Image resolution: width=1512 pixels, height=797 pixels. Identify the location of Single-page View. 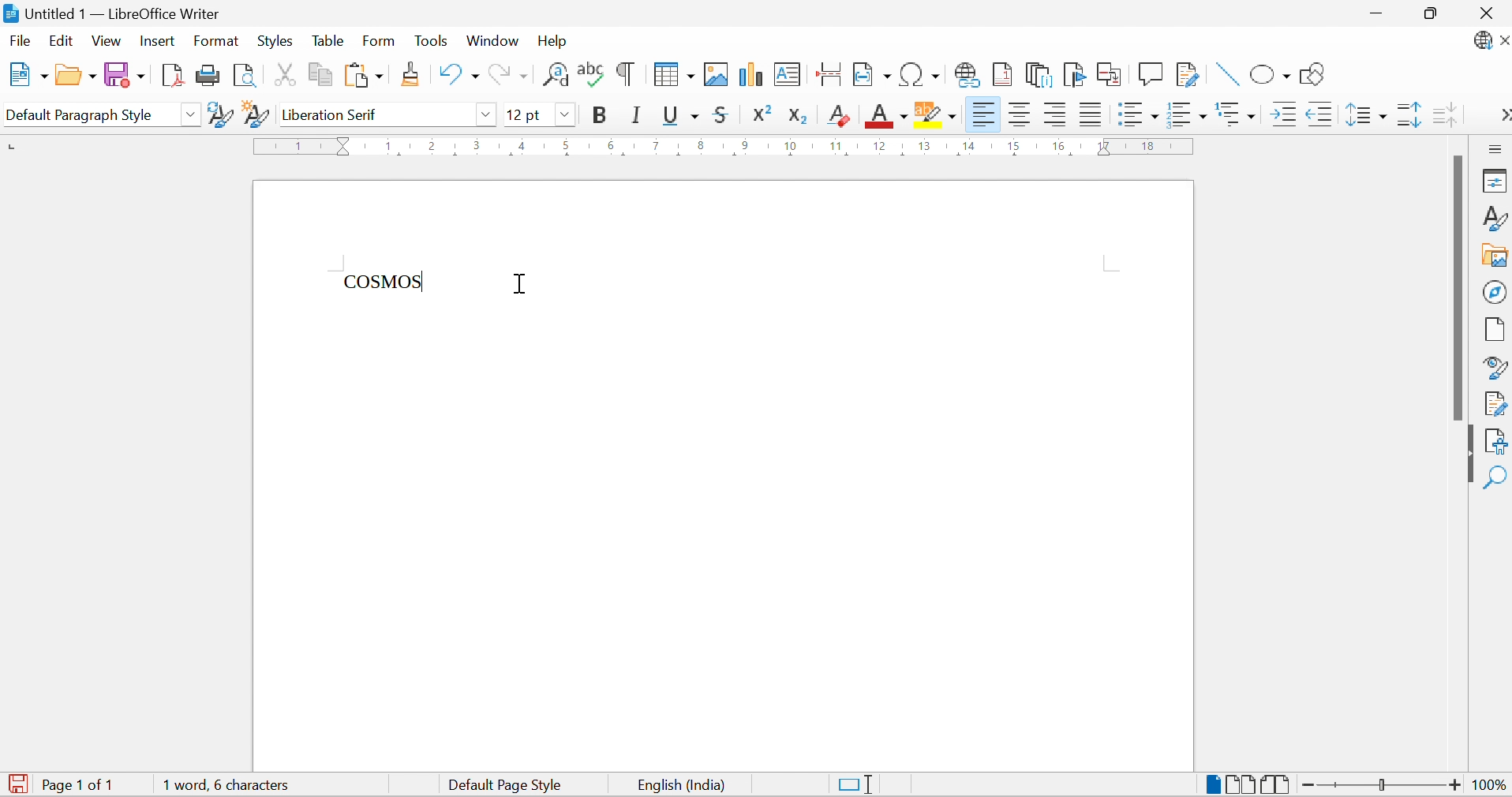
(1212, 782).